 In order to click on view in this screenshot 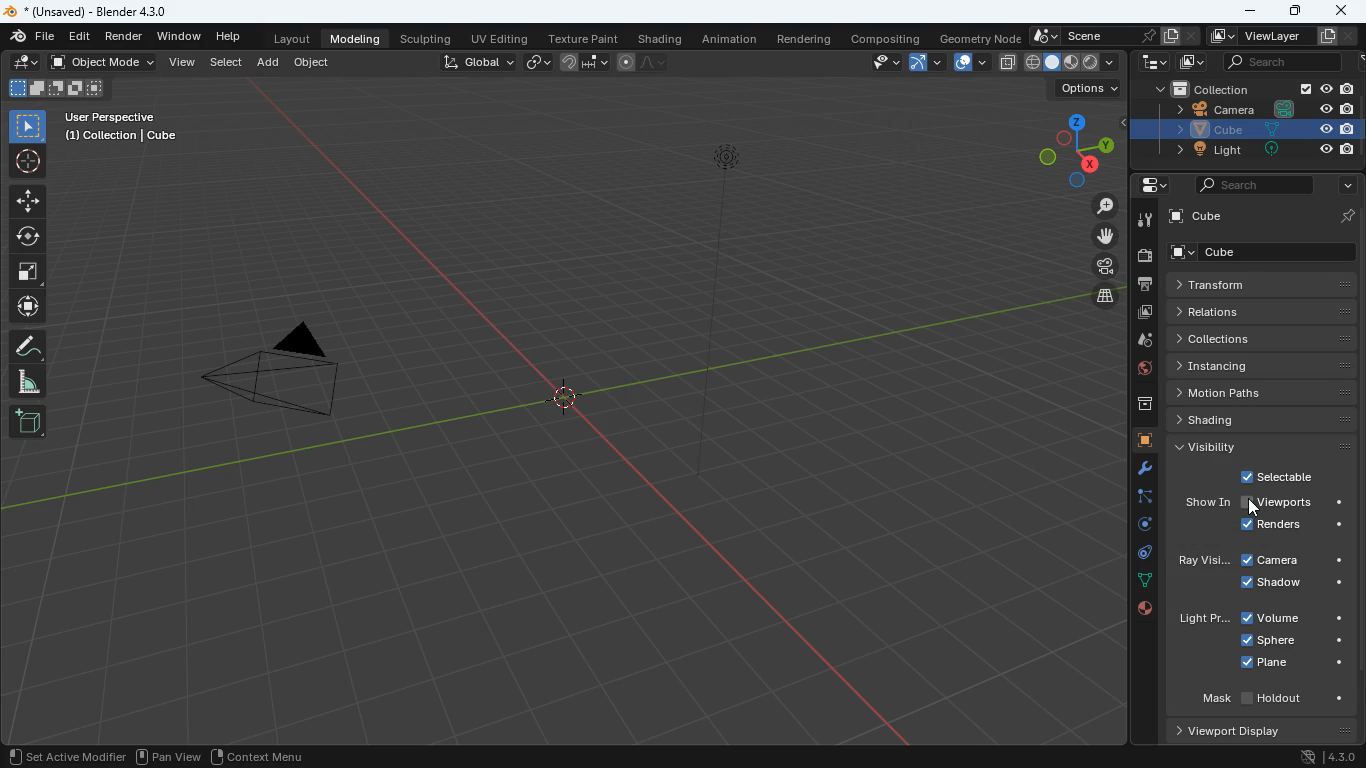, I will do `click(184, 64)`.